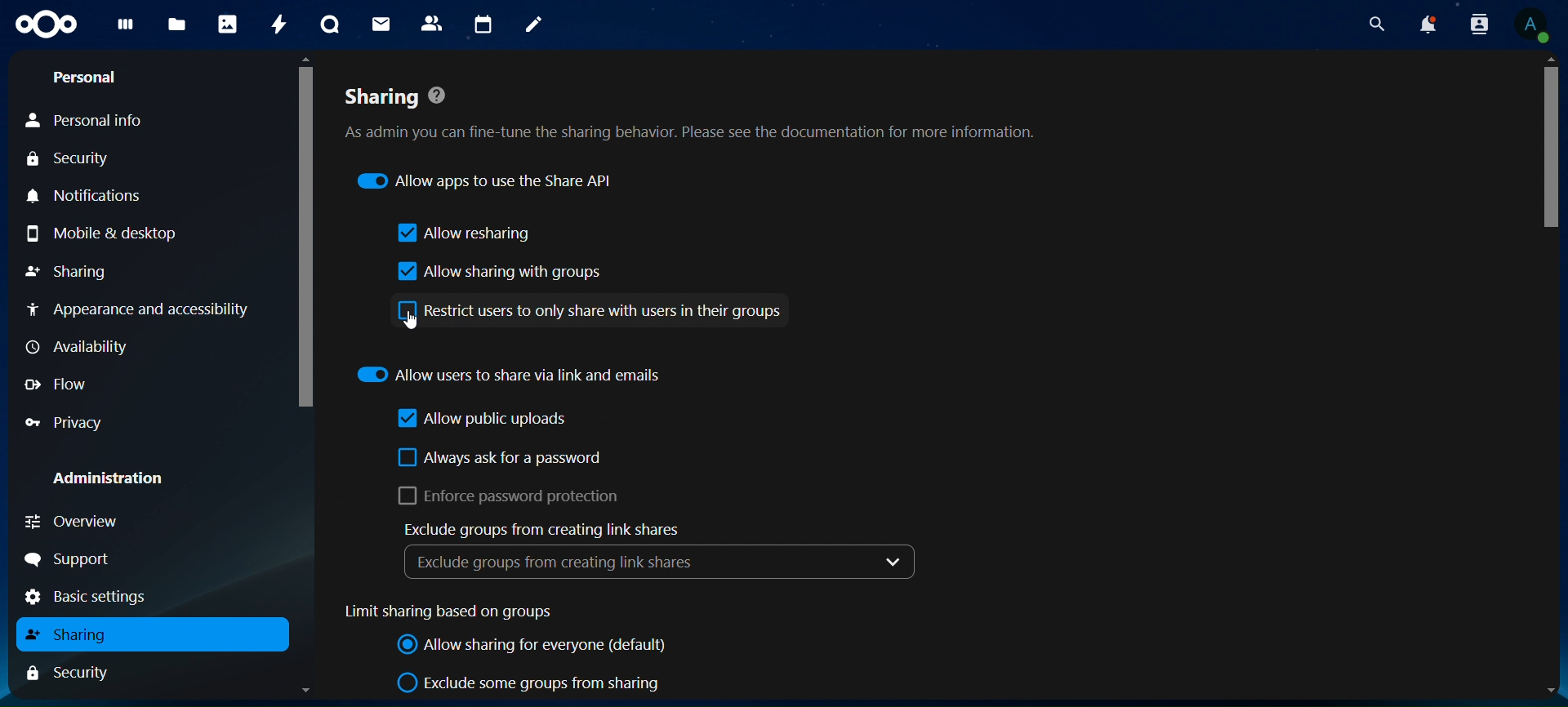  What do you see at coordinates (448, 611) in the screenshot?
I see `text` at bounding box center [448, 611].